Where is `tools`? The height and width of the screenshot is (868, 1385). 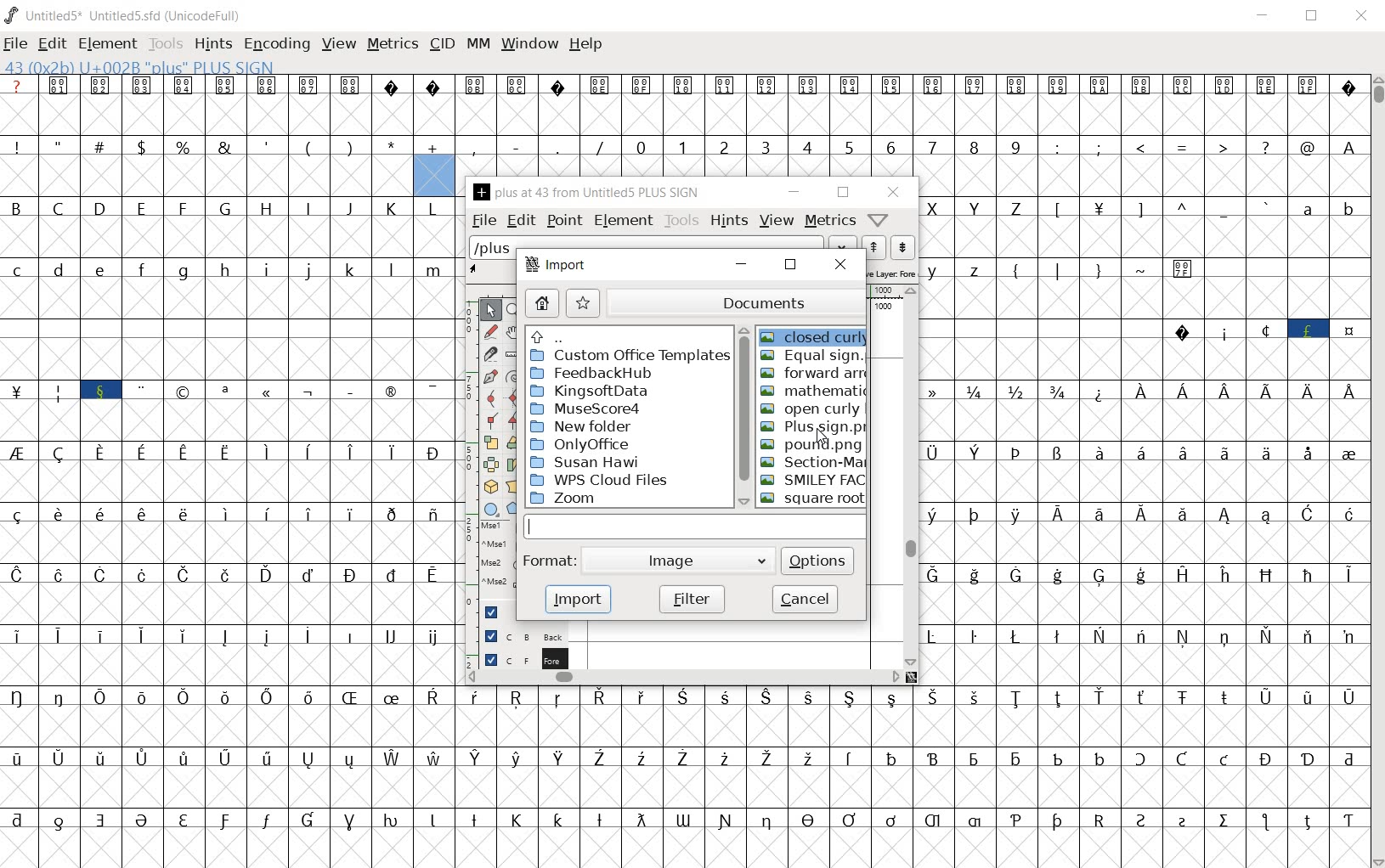 tools is located at coordinates (164, 42).